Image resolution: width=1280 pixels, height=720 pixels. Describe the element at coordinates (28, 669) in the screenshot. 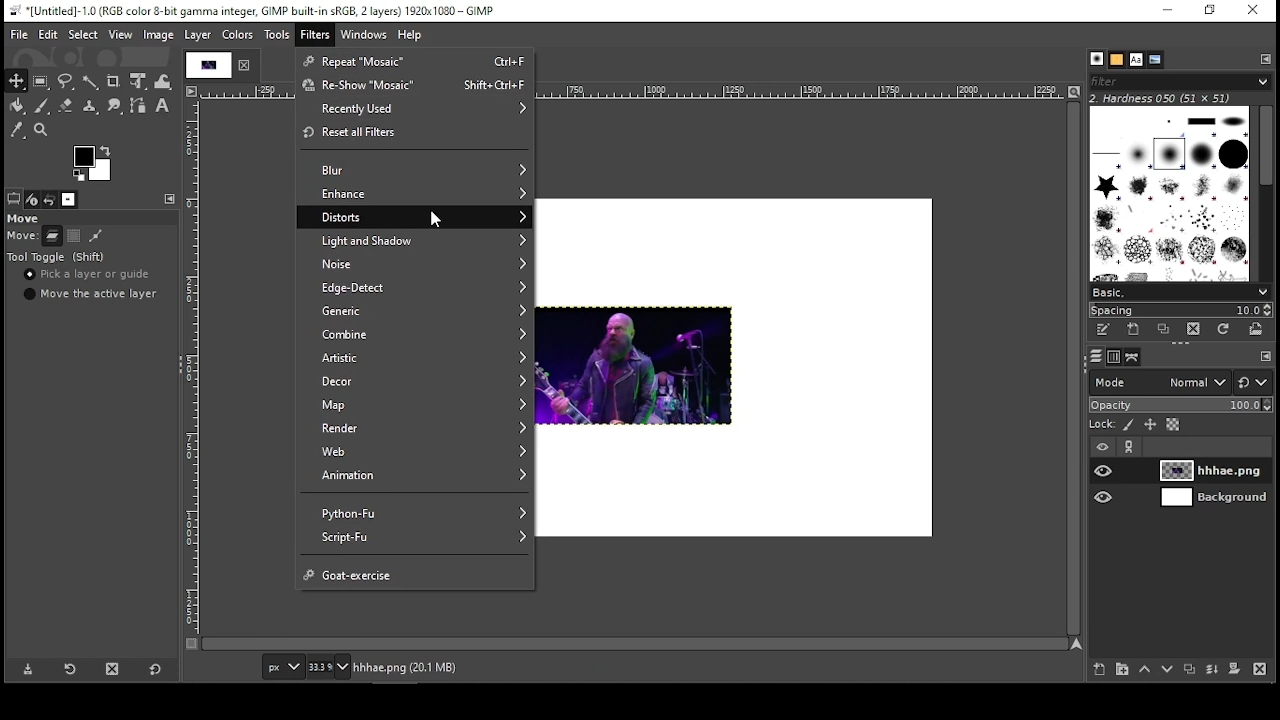

I see `save tool preset` at that location.